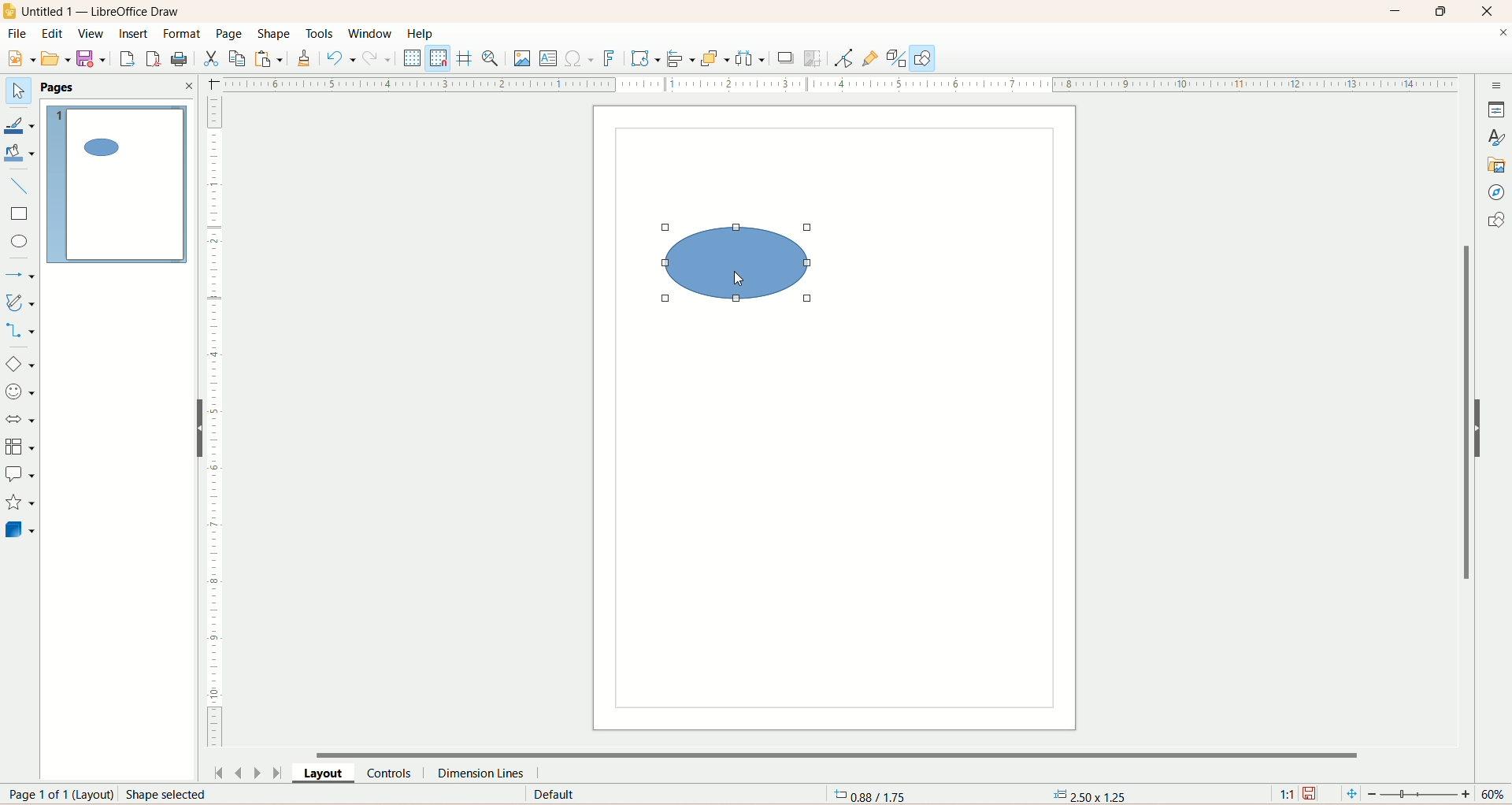 The height and width of the screenshot is (805, 1512). I want to click on snap to grid, so click(442, 60).